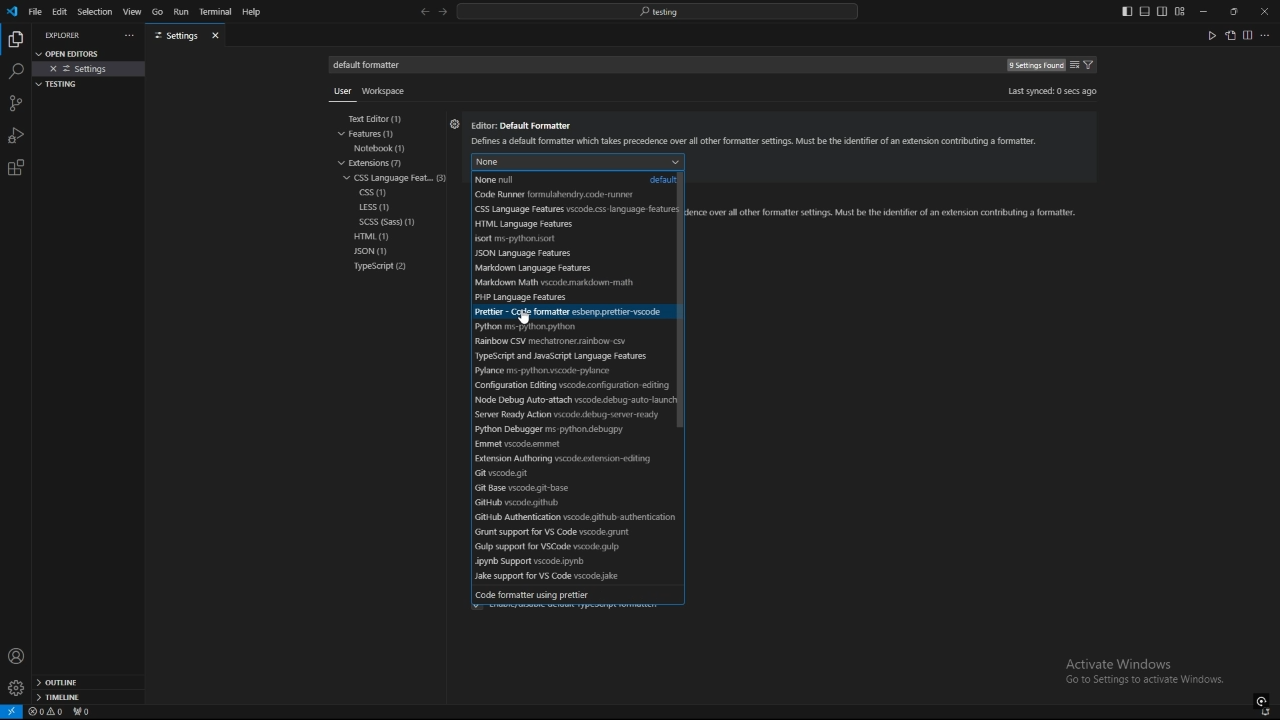 Image resolution: width=1280 pixels, height=720 pixels. I want to click on css, so click(376, 193).